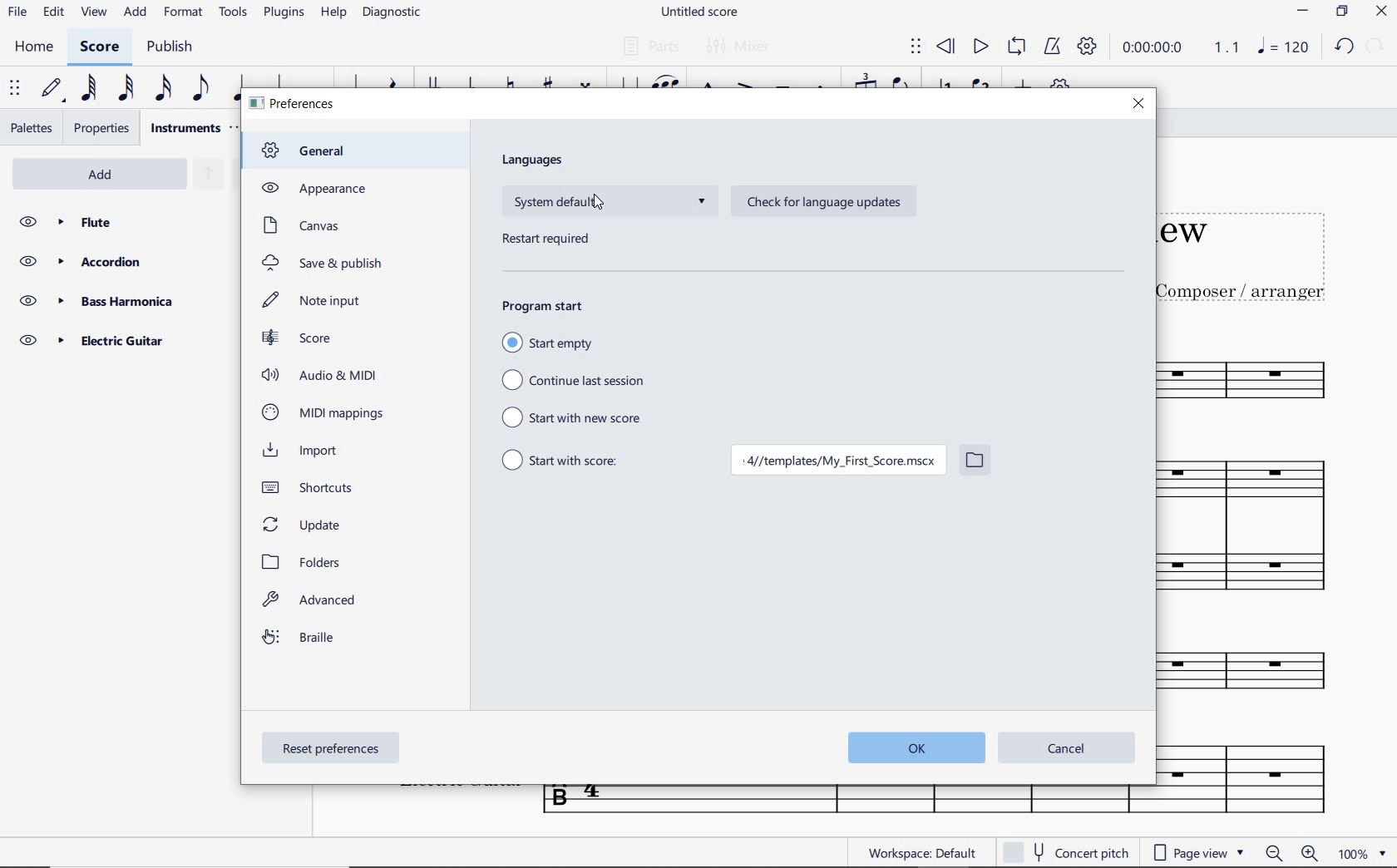 The width and height of the screenshot is (1397, 868). Describe the element at coordinates (1383, 13) in the screenshot. I see `CLOSE ` at that location.